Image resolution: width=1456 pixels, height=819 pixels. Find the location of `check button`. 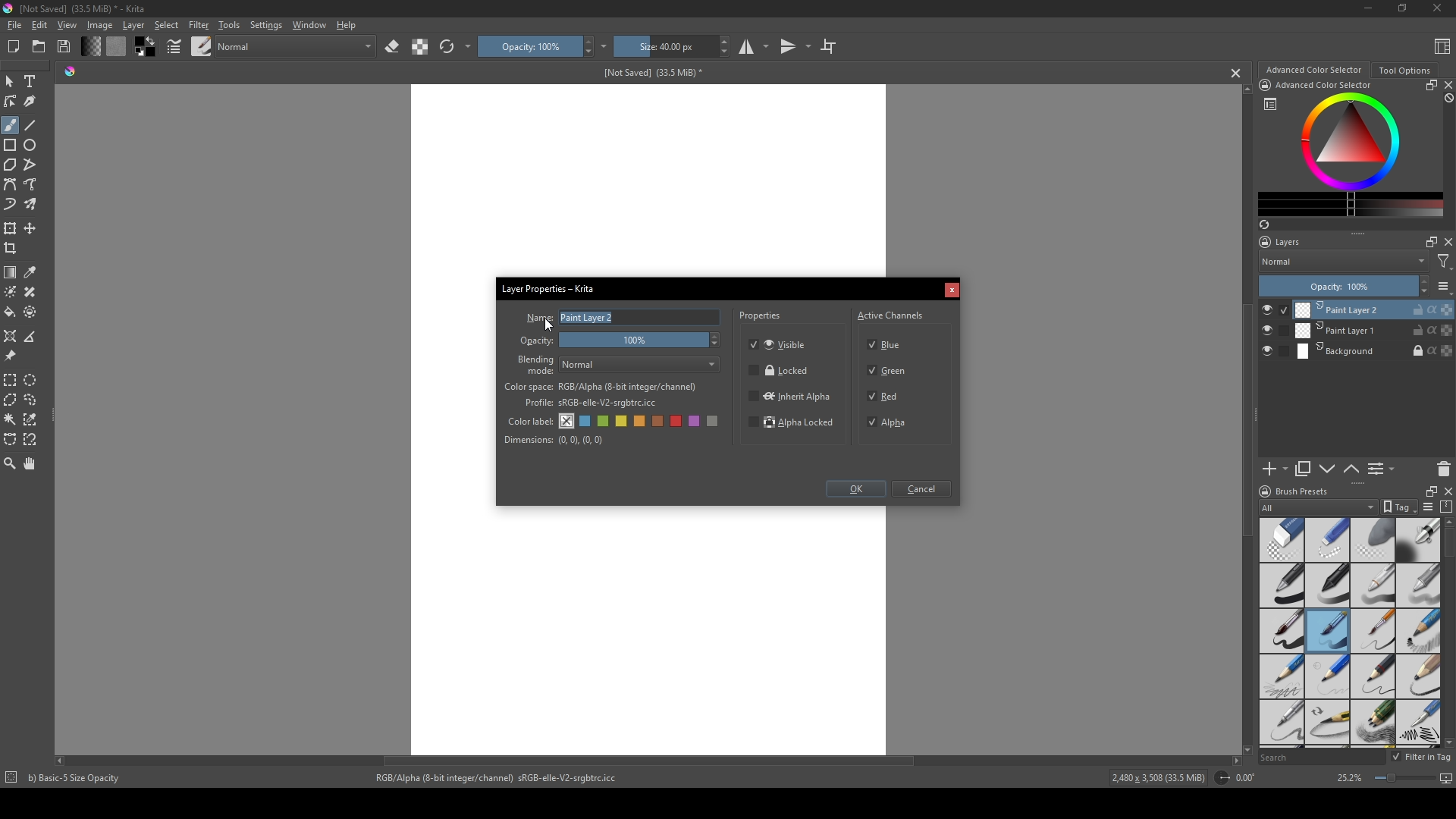

check button is located at coordinates (1275, 331).